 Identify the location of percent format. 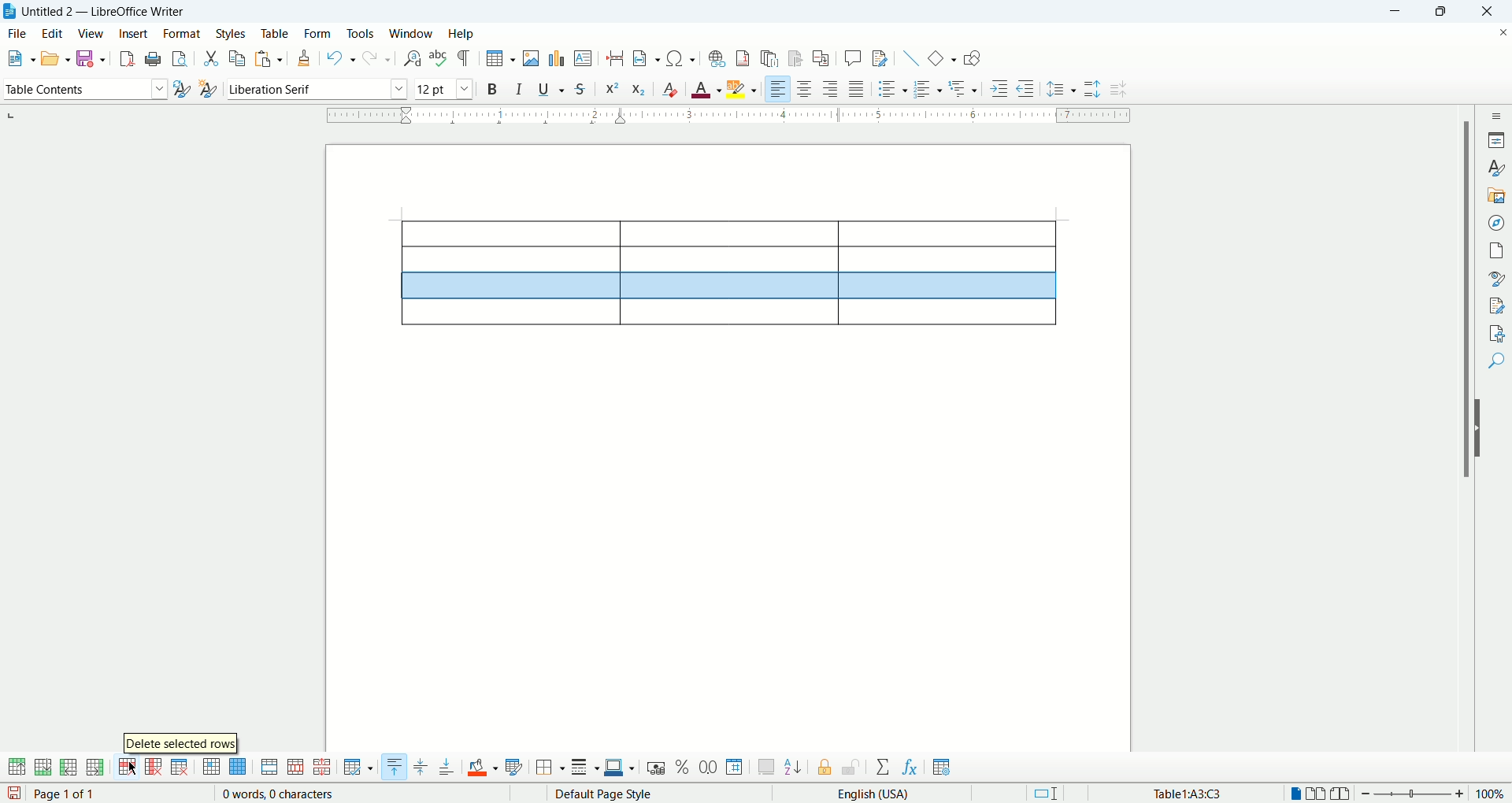
(682, 769).